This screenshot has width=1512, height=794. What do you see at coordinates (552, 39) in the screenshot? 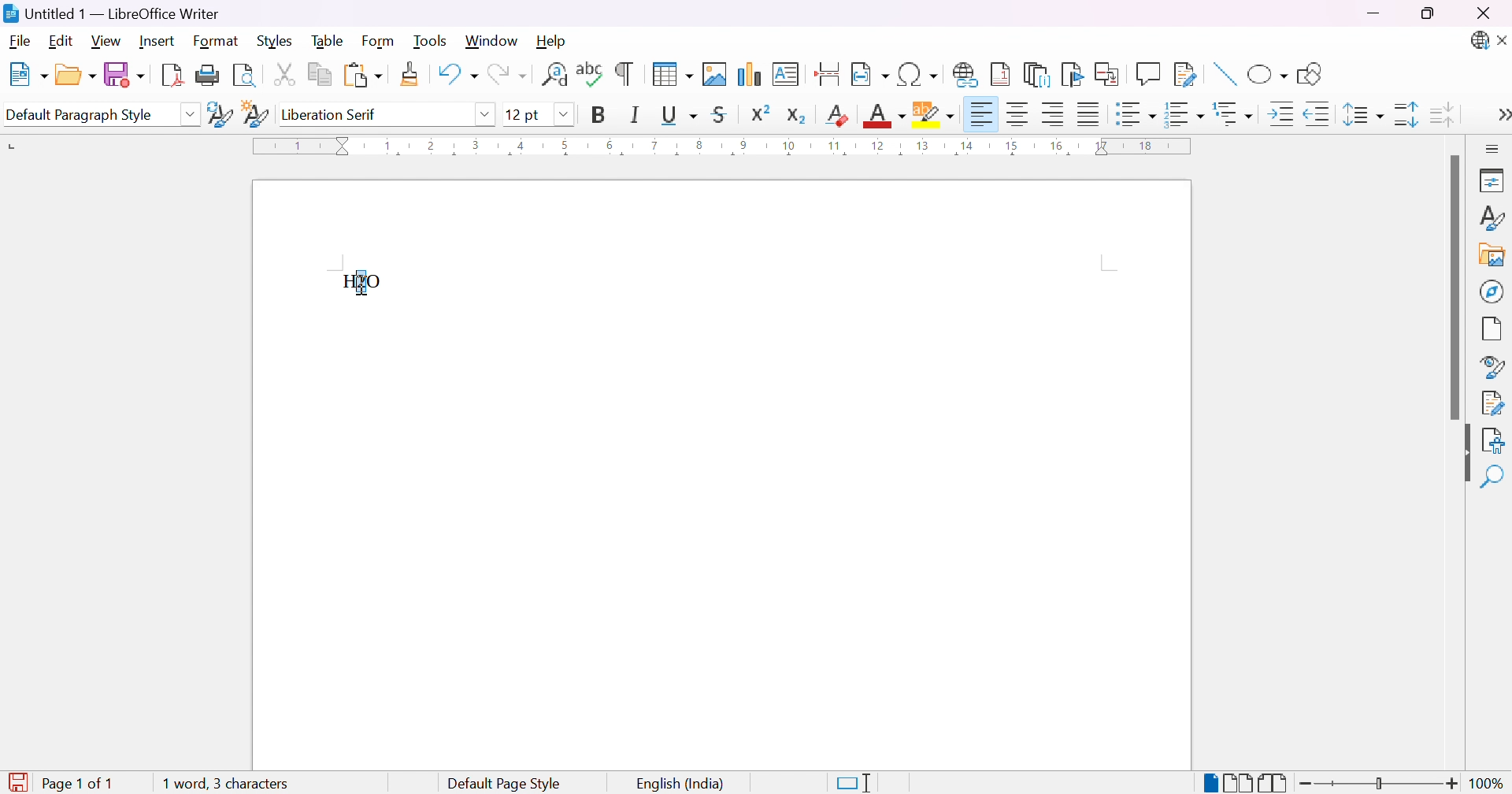
I see `Help` at bounding box center [552, 39].